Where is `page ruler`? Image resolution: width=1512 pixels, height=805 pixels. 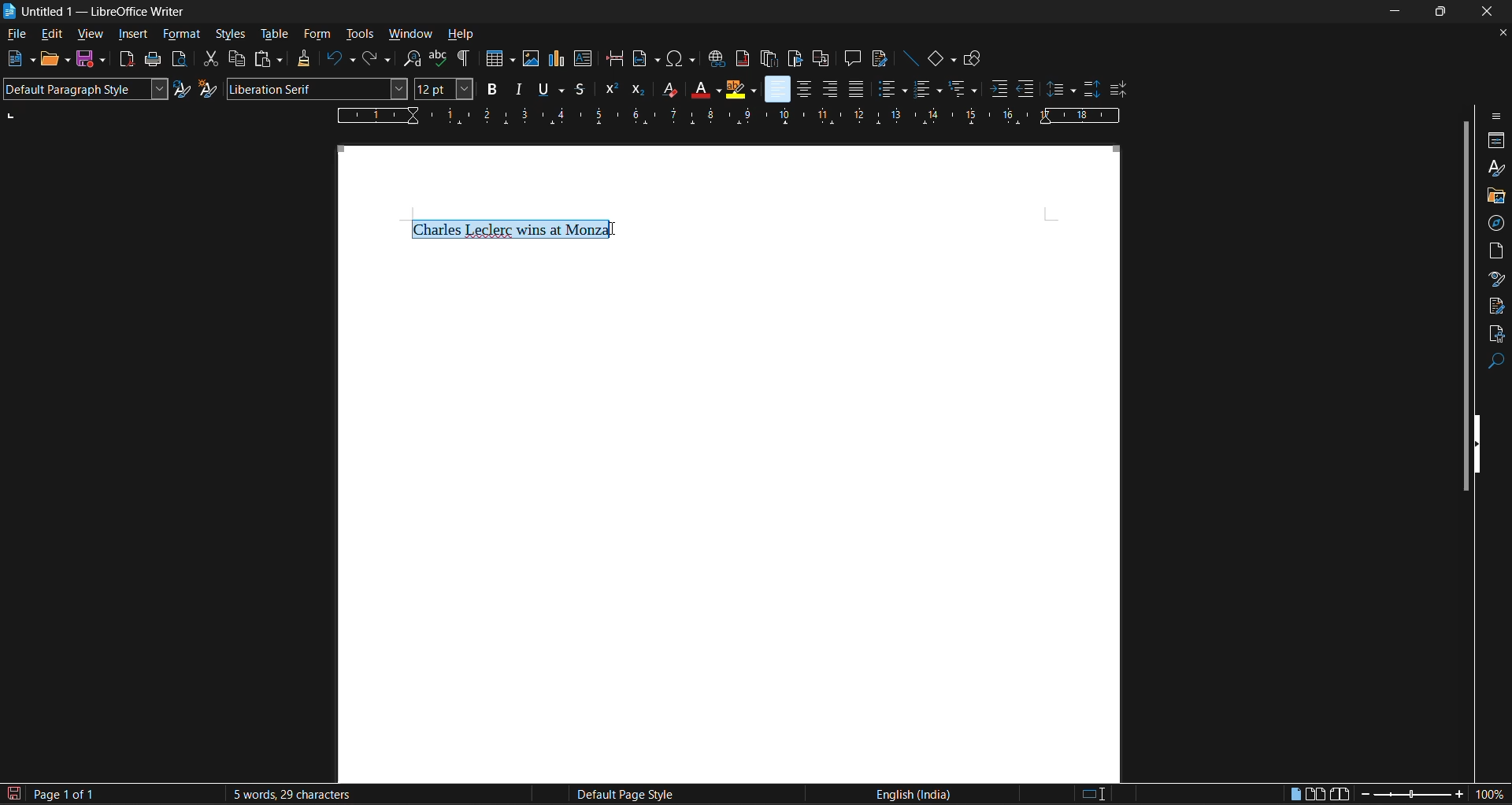
page ruler is located at coordinates (727, 115).